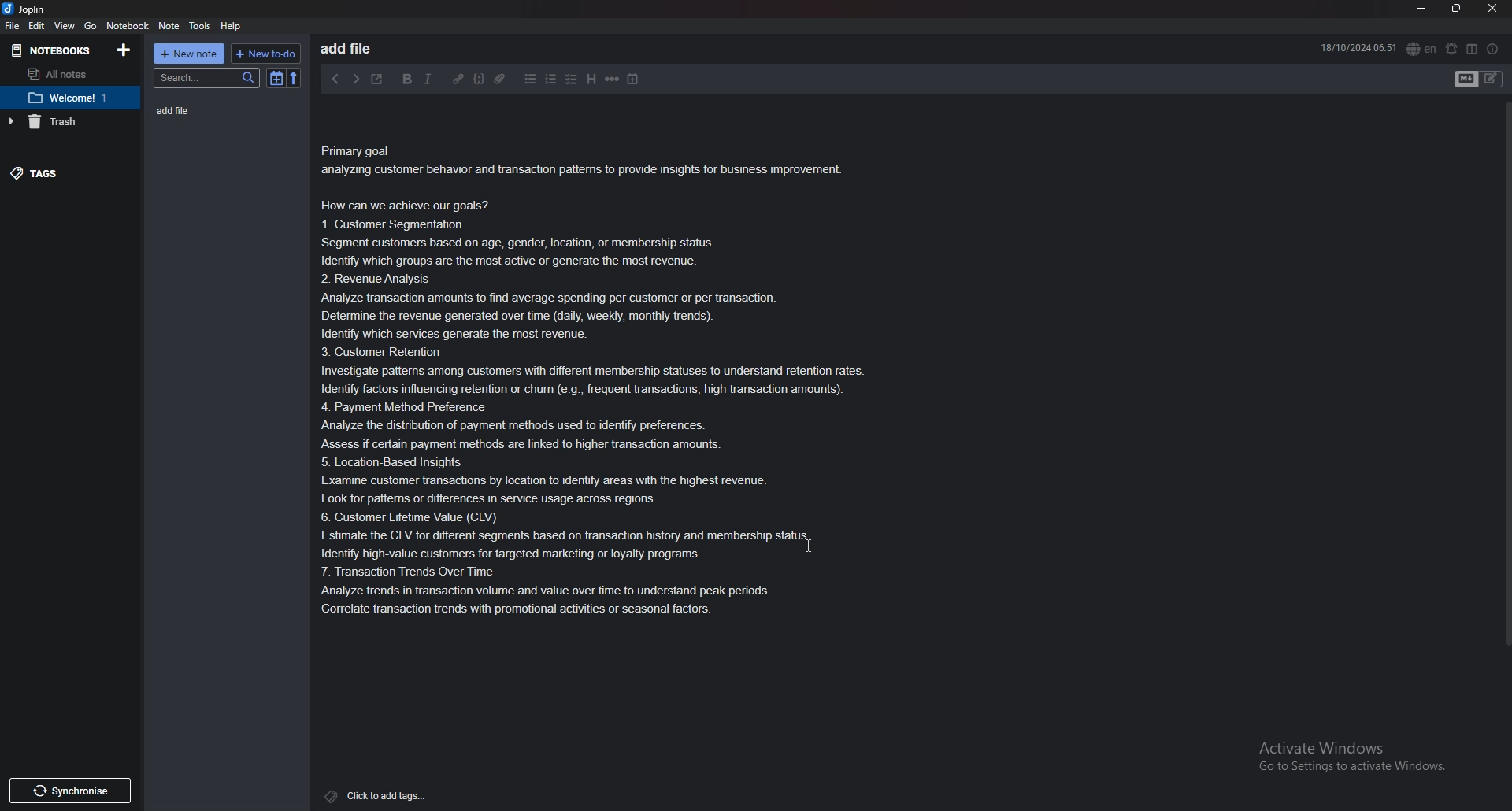 The image size is (1512, 811). Describe the element at coordinates (73, 791) in the screenshot. I see `Synchronize` at that location.